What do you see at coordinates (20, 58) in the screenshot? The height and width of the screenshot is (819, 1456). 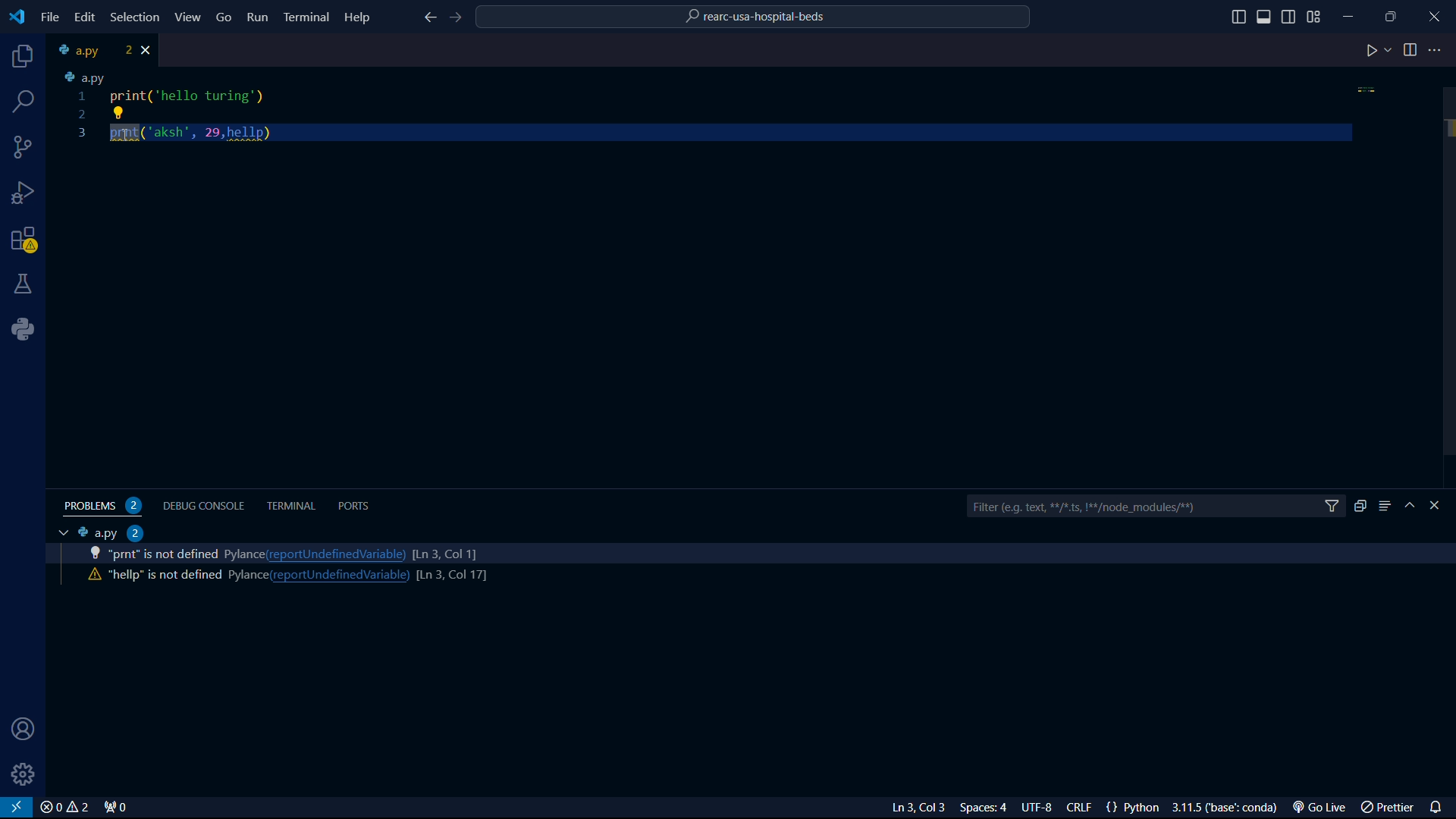 I see `projects` at bounding box center [20, 58].